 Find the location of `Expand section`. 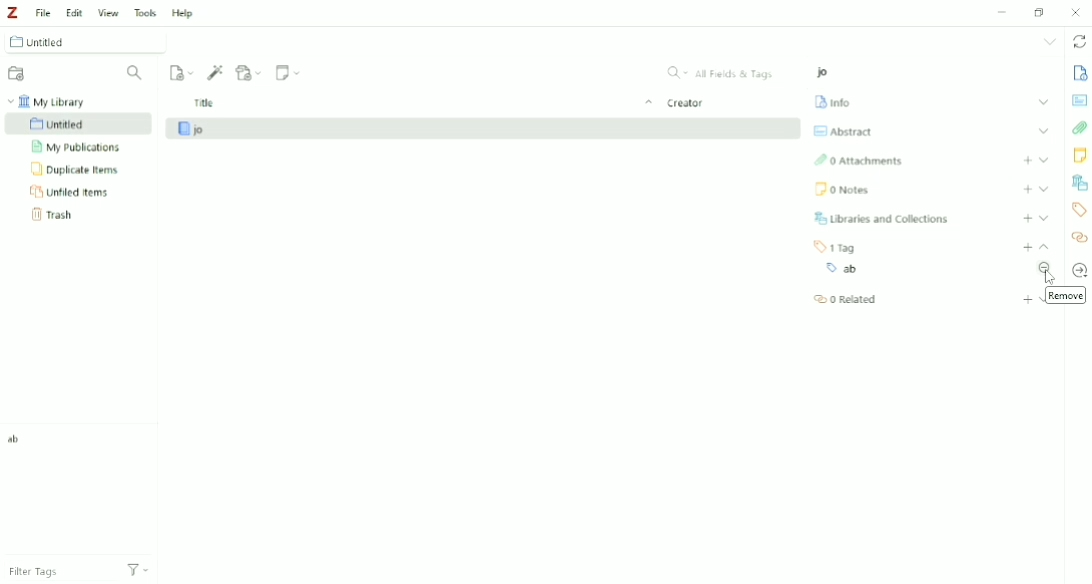

Expand section is located at coordinates (1045, 101).